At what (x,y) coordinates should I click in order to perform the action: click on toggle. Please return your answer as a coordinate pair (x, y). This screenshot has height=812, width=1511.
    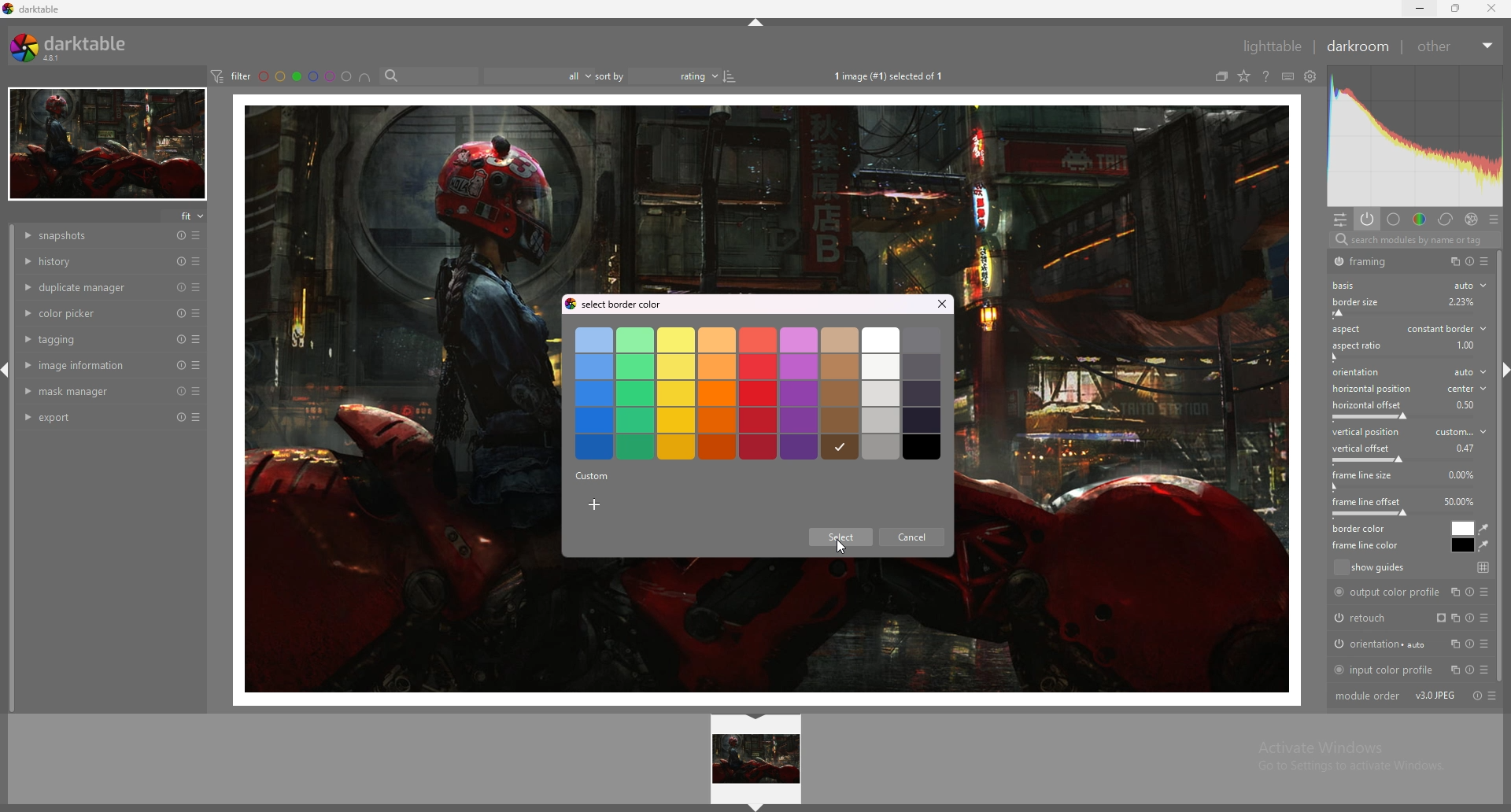
    Looking at the image, I should click on (1472, 262).